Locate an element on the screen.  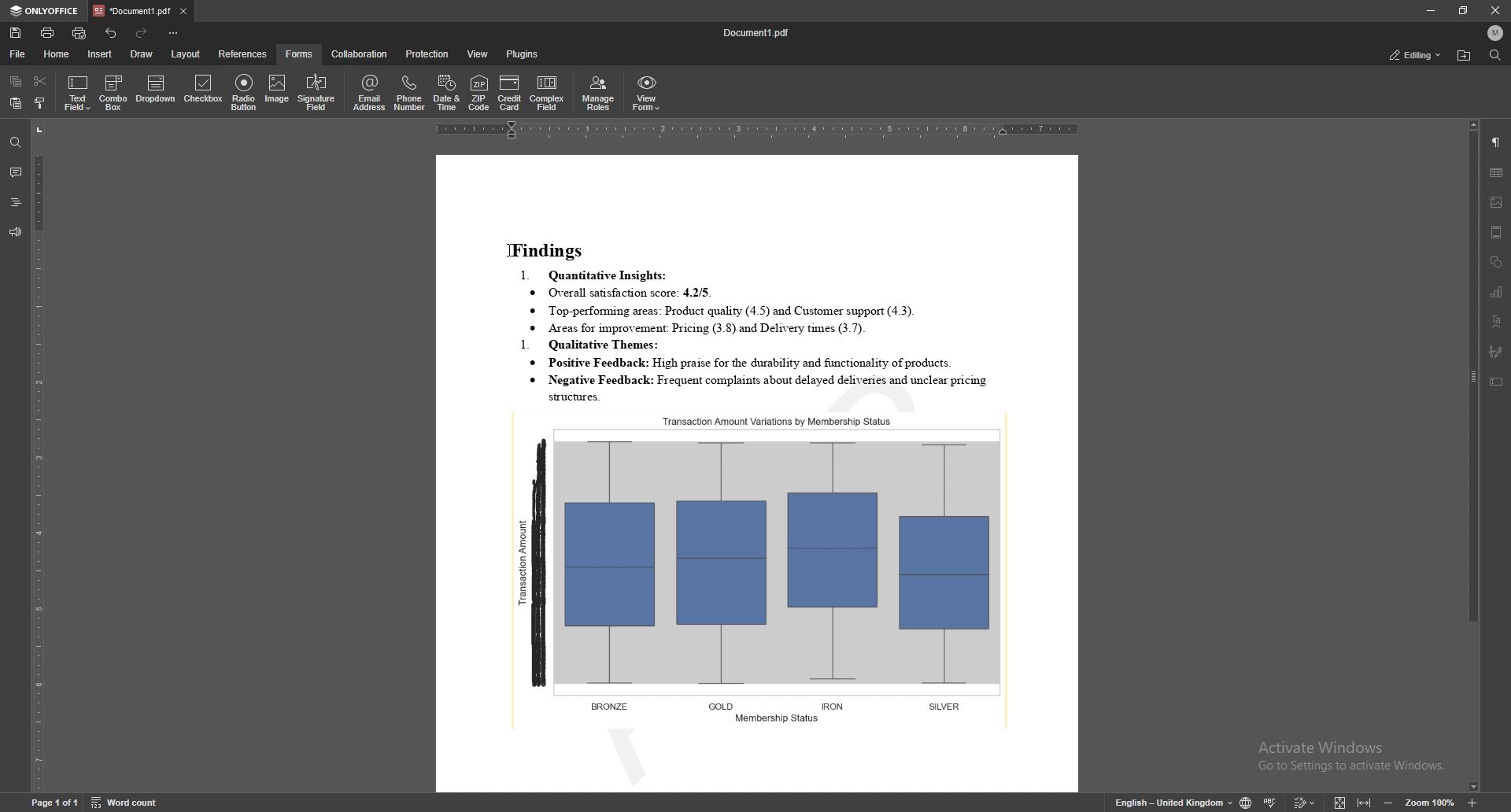
close is located at coordinates (1494, 11).